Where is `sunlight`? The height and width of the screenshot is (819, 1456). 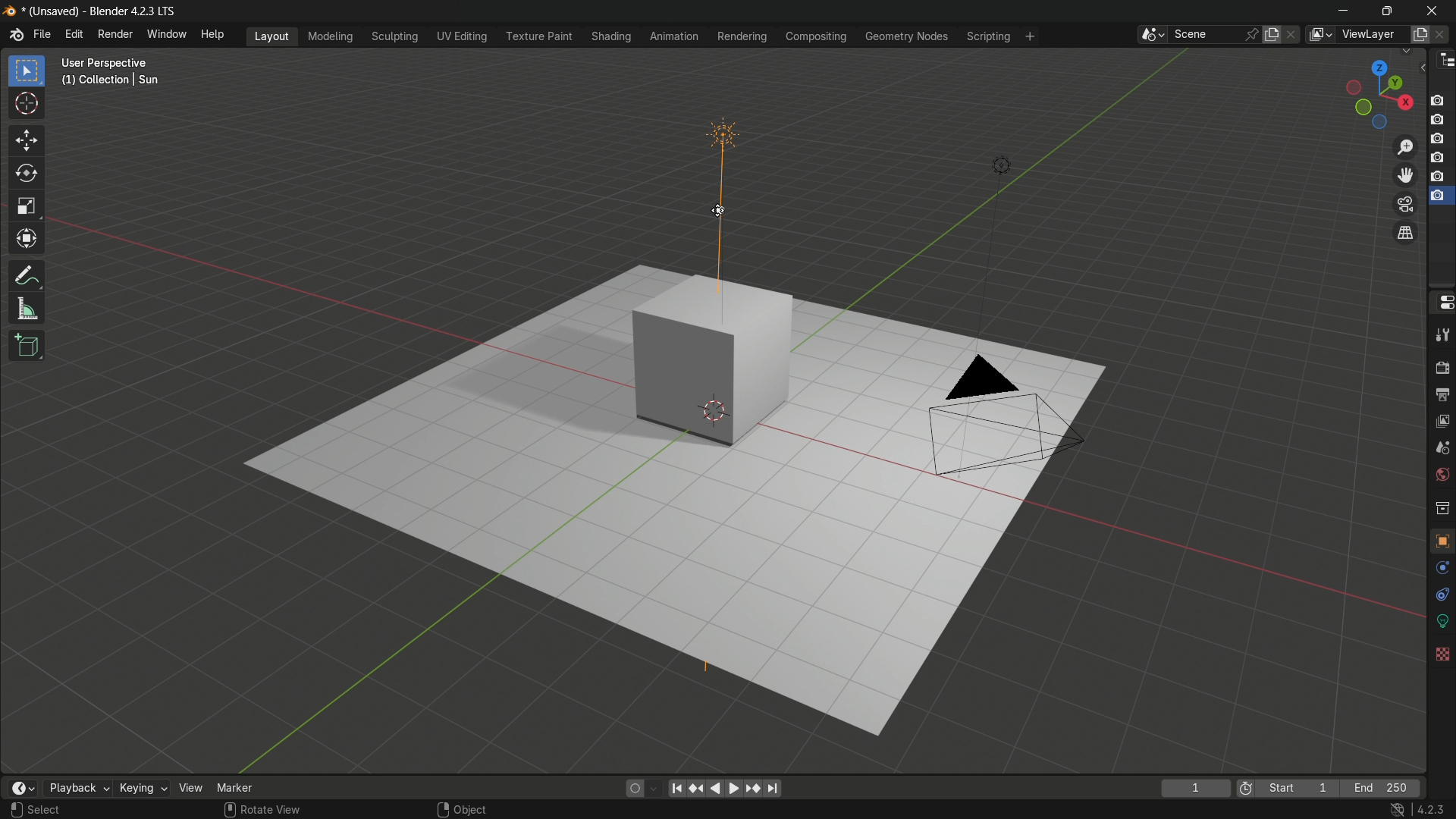
sunlight is located at coordinates (723, 192).